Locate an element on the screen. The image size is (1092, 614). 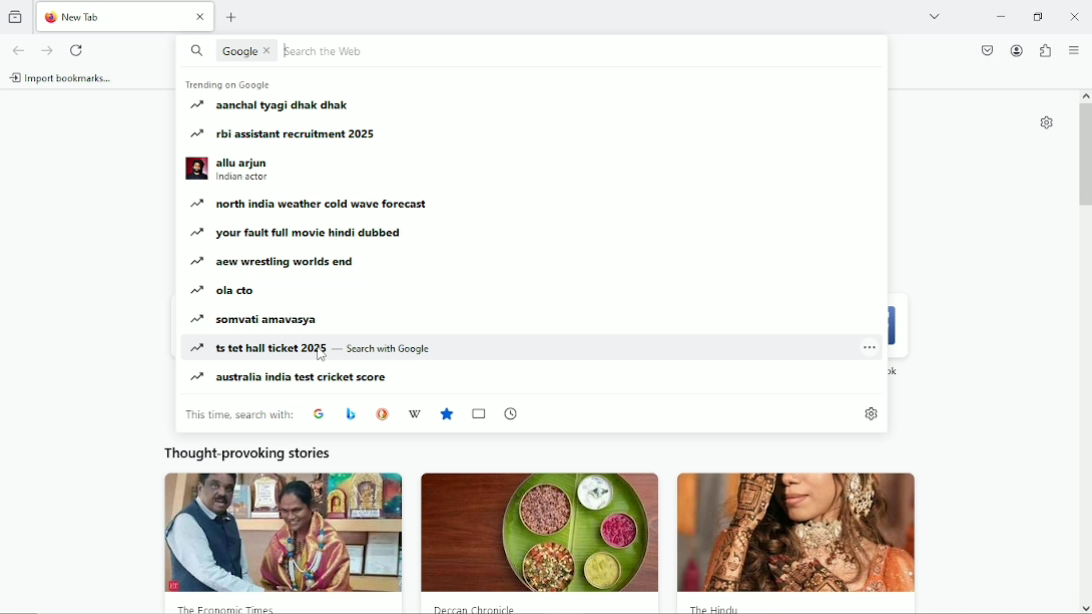
list all tabs is located at coordinates (938, 17).